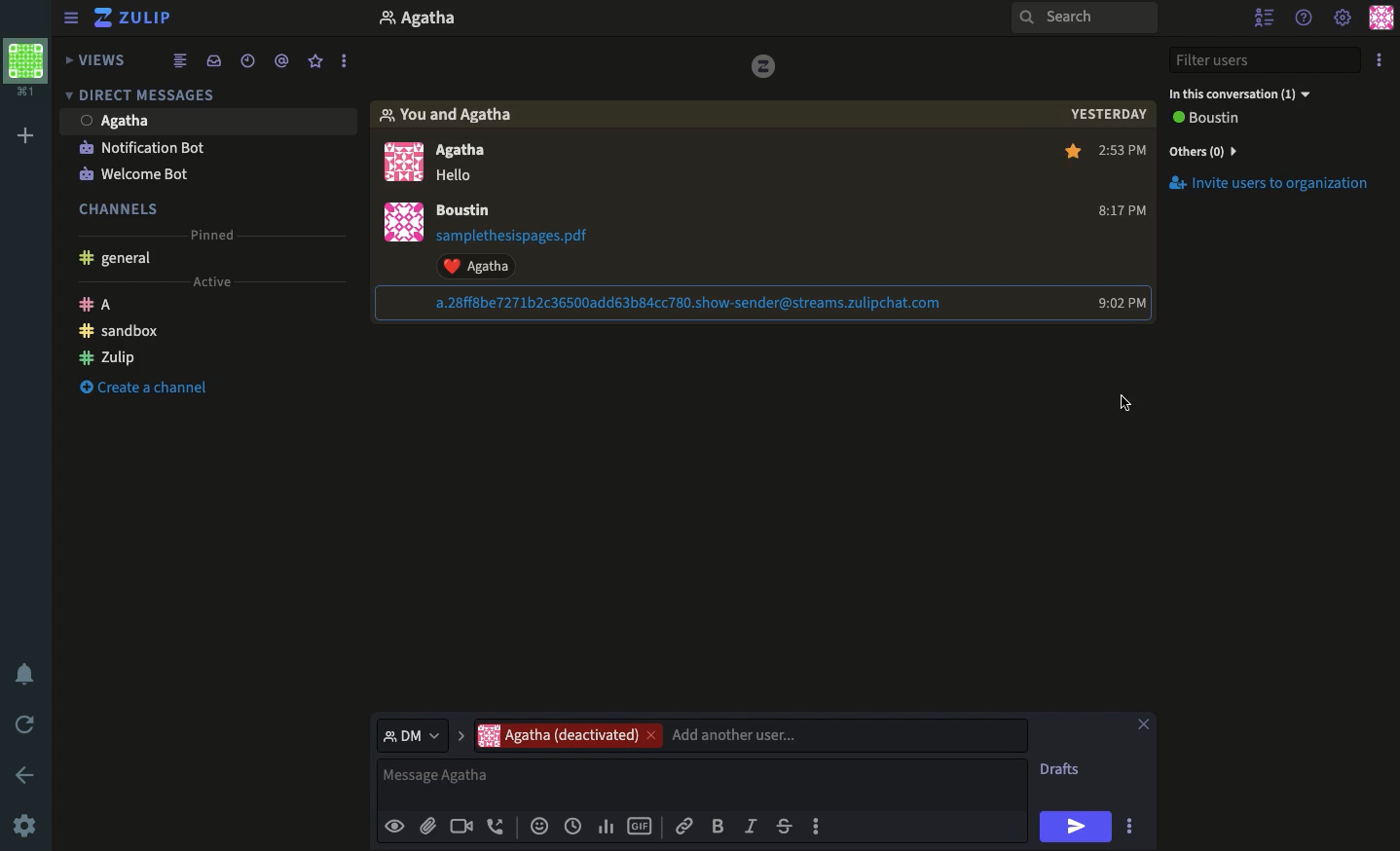 The height and width of the screenshot is (851, 1400). I want to click on add another Users, so click(848, 734).